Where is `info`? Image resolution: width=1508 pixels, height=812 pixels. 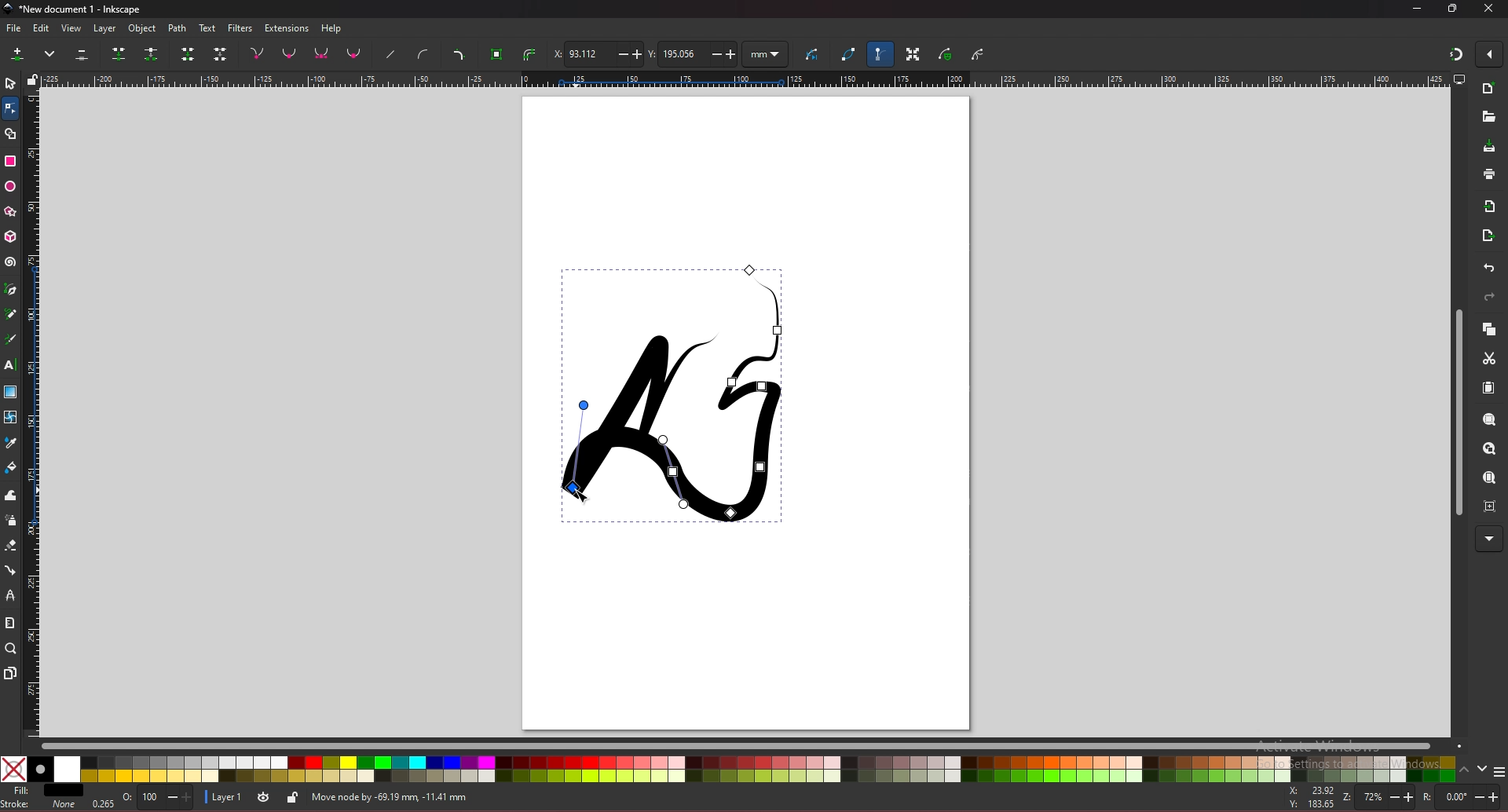
info is located at coordinates (535, 796).